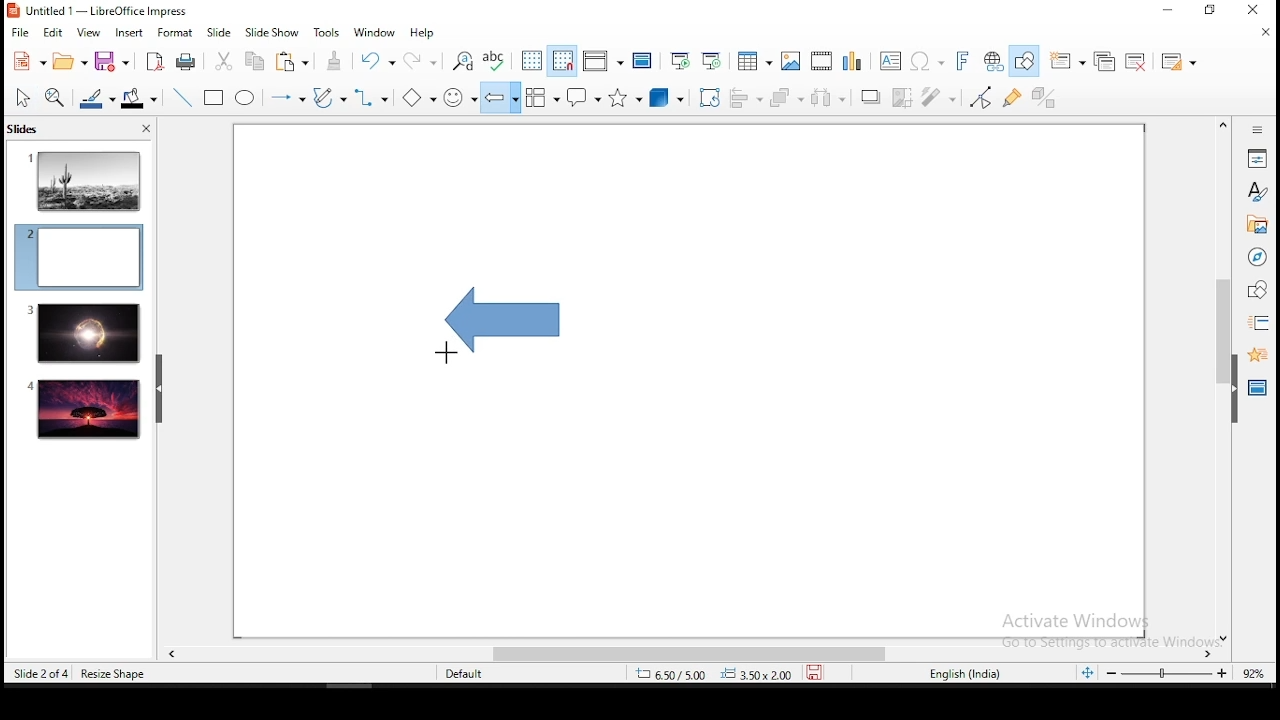 The width and height of the screenshot is (1280, 720). What do you see at coordinates (1258, 324) in the screenshot?
I see `slide transition` at bounding box center [1258, 324].